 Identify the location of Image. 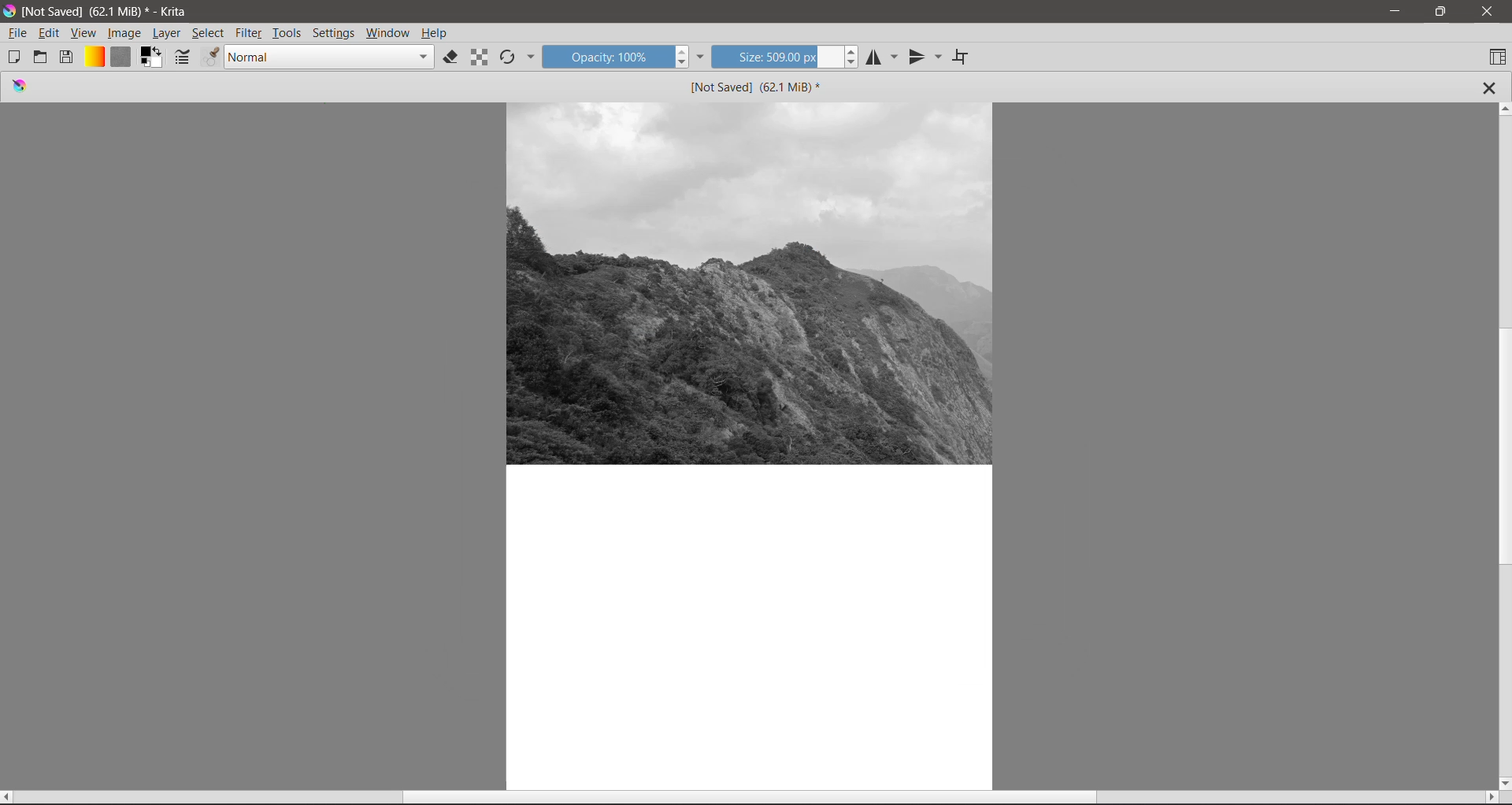
(125, 32).